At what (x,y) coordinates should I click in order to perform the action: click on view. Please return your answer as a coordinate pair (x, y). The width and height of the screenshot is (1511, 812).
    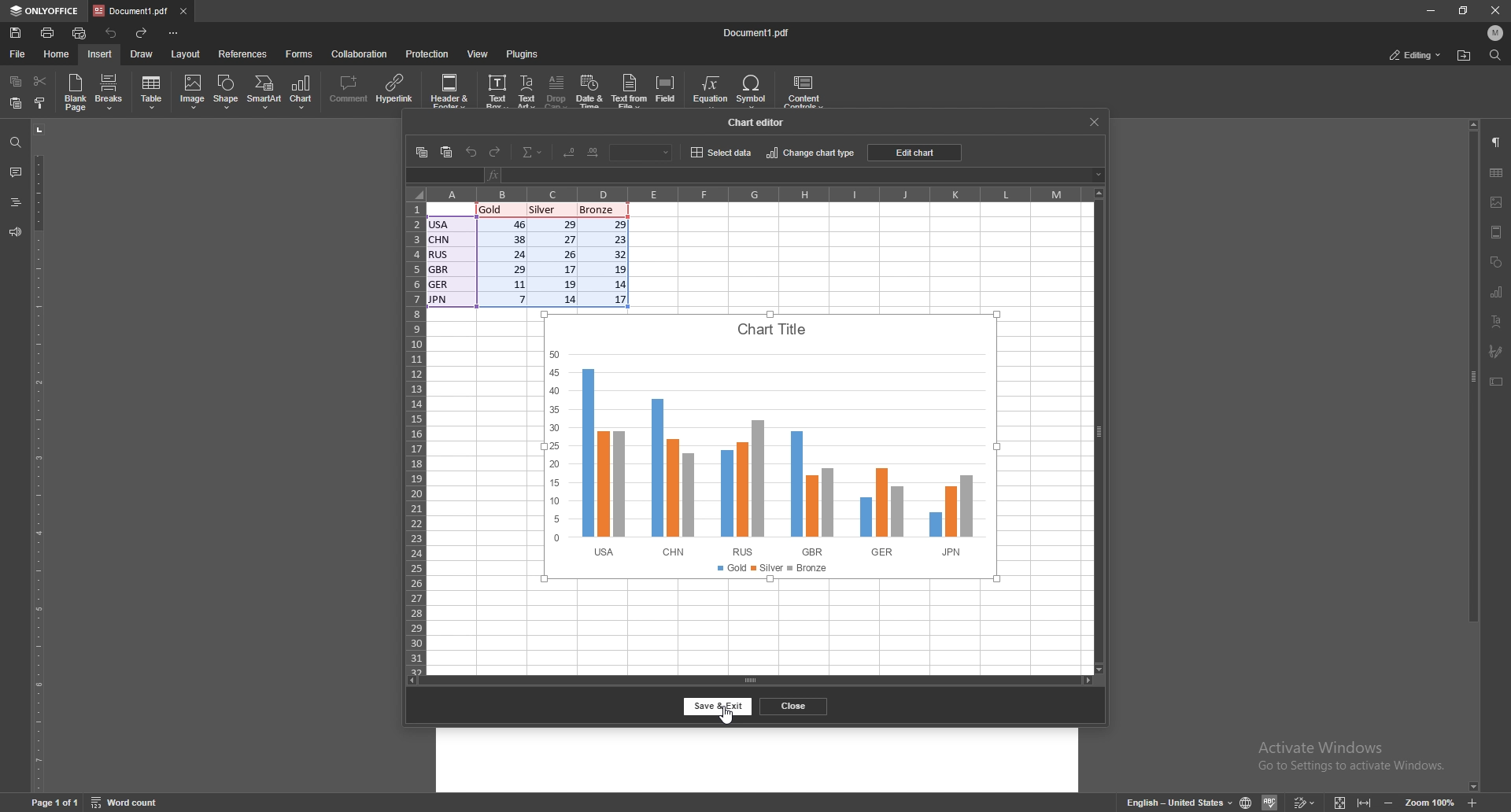
    Looking at the image, I should click on (478, 54).